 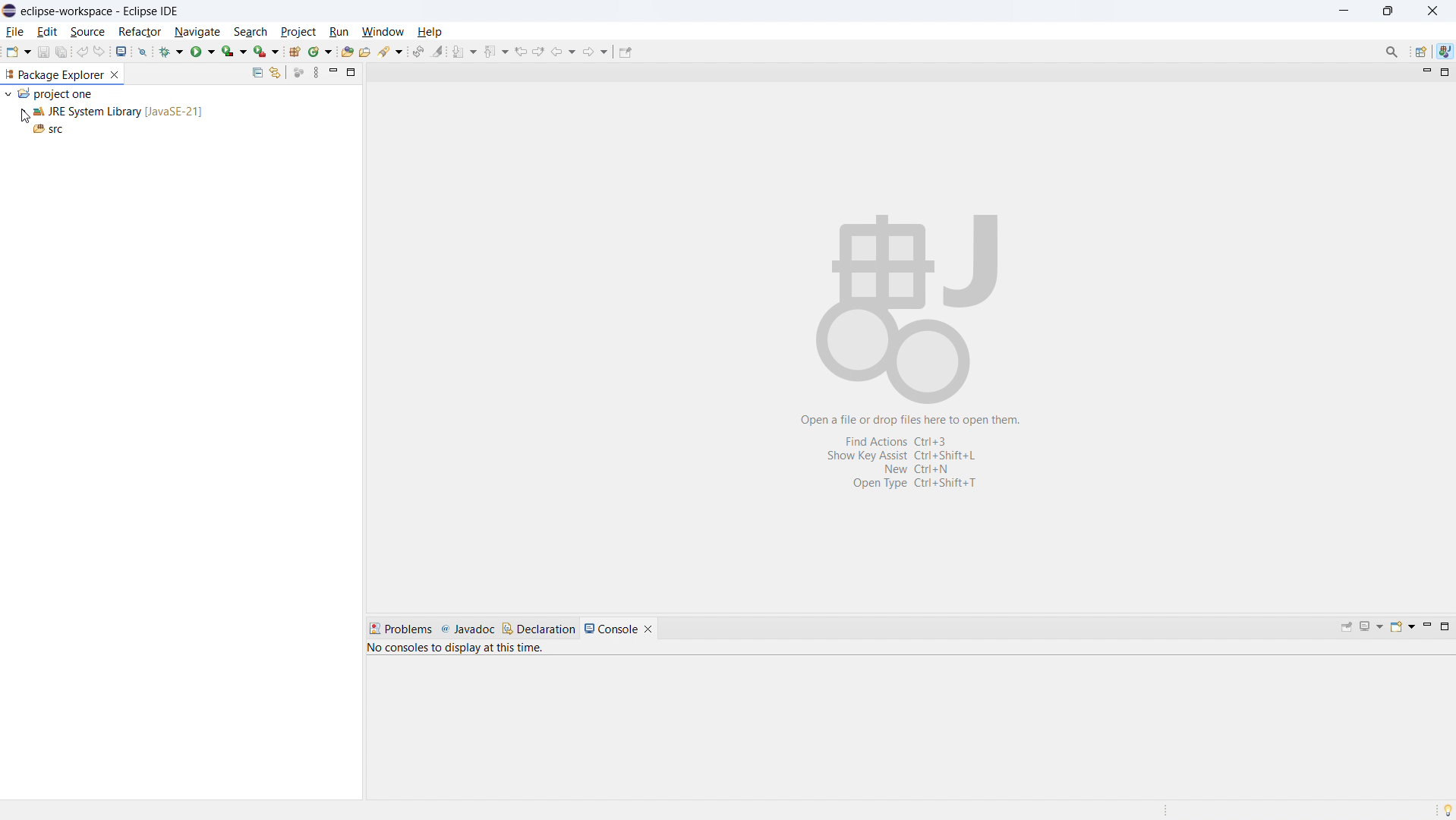 I want to click on maximize, so click(x=1445, y=628).